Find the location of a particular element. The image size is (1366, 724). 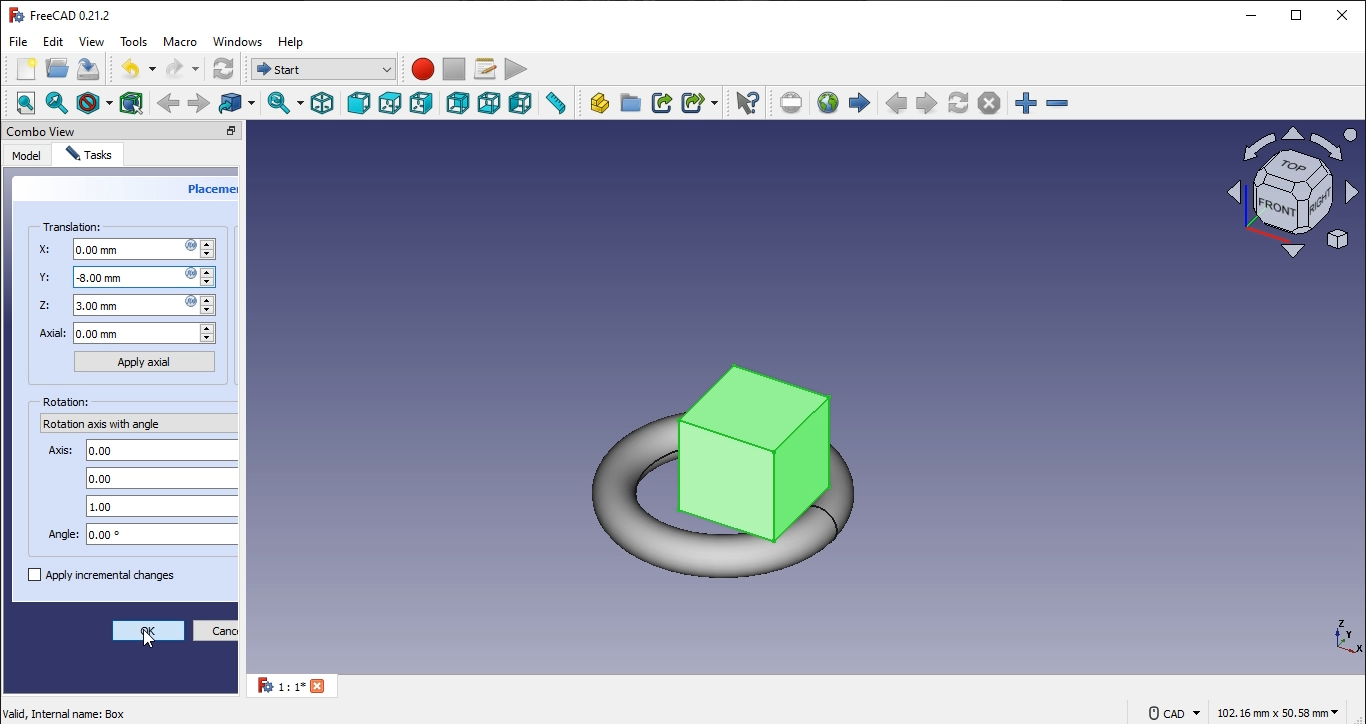

Z is located at coordinates (132, 305).